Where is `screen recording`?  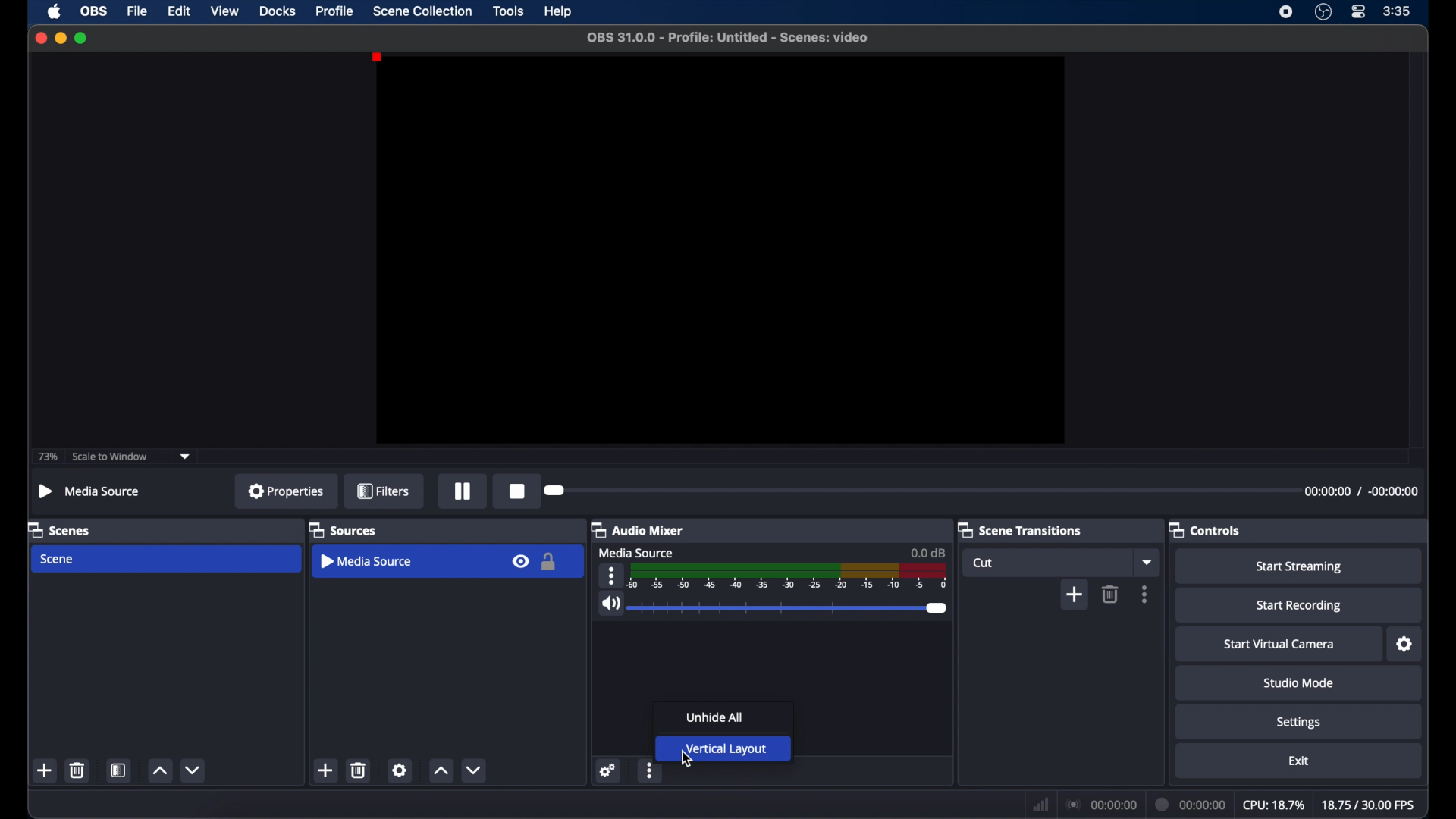
screen recording is located at coordinates (1286, 12).